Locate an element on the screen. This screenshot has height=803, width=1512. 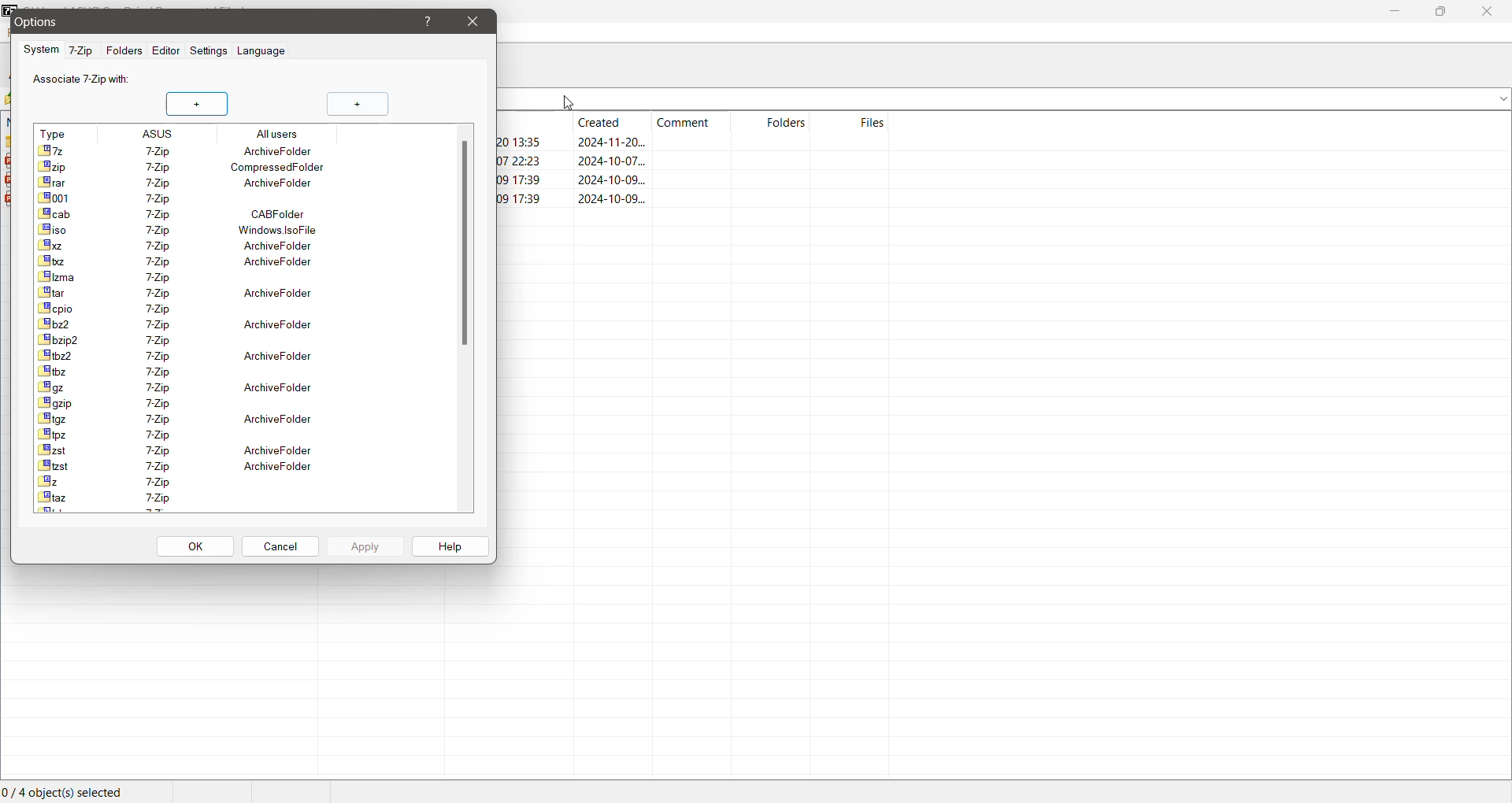
Created Comment Folders Files is located at coordinates (695, 120).